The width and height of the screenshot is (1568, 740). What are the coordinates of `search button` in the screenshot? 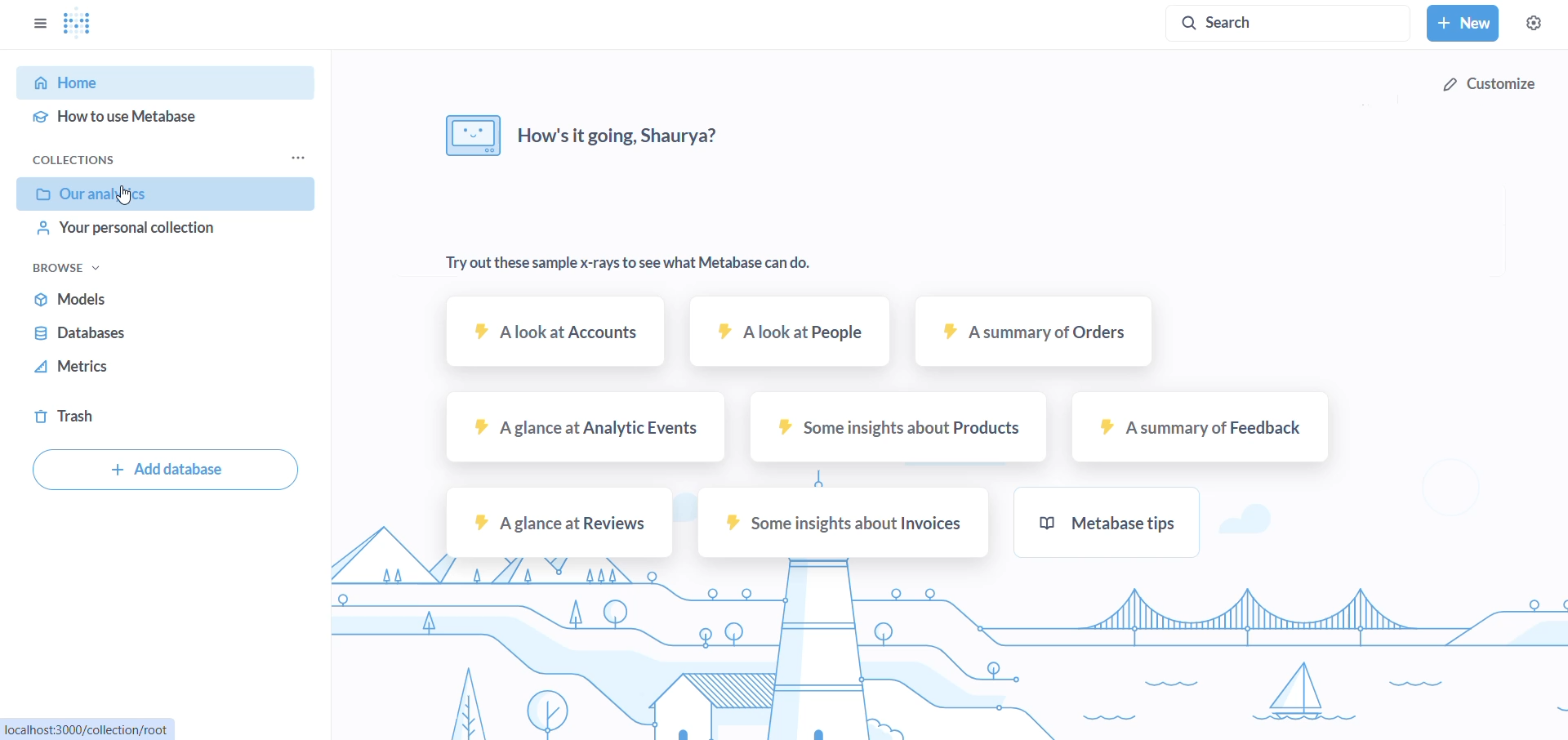 It's located at (1290, 24).